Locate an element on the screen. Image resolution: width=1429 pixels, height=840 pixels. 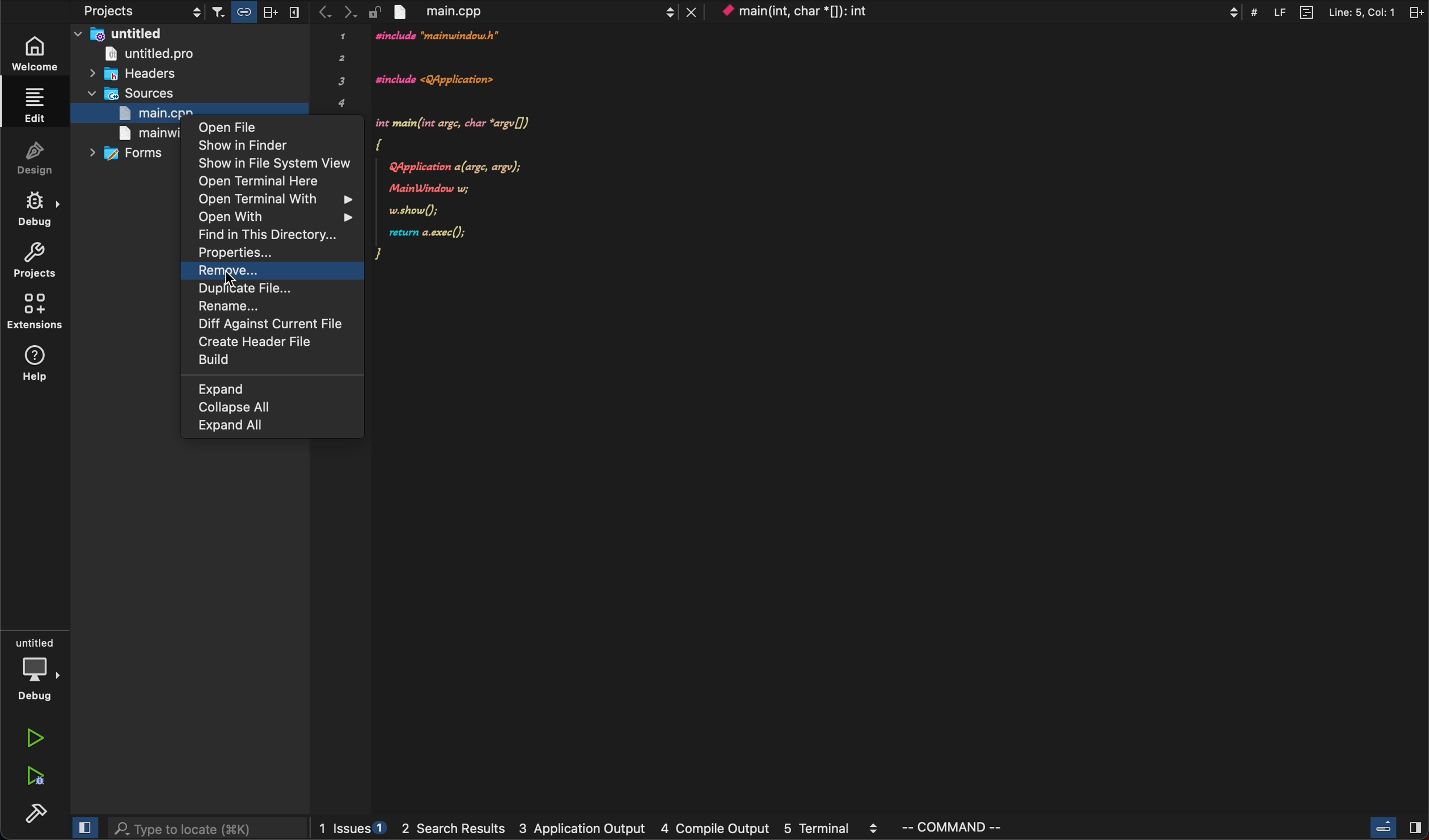
forms is located at coordinates (132, 155).